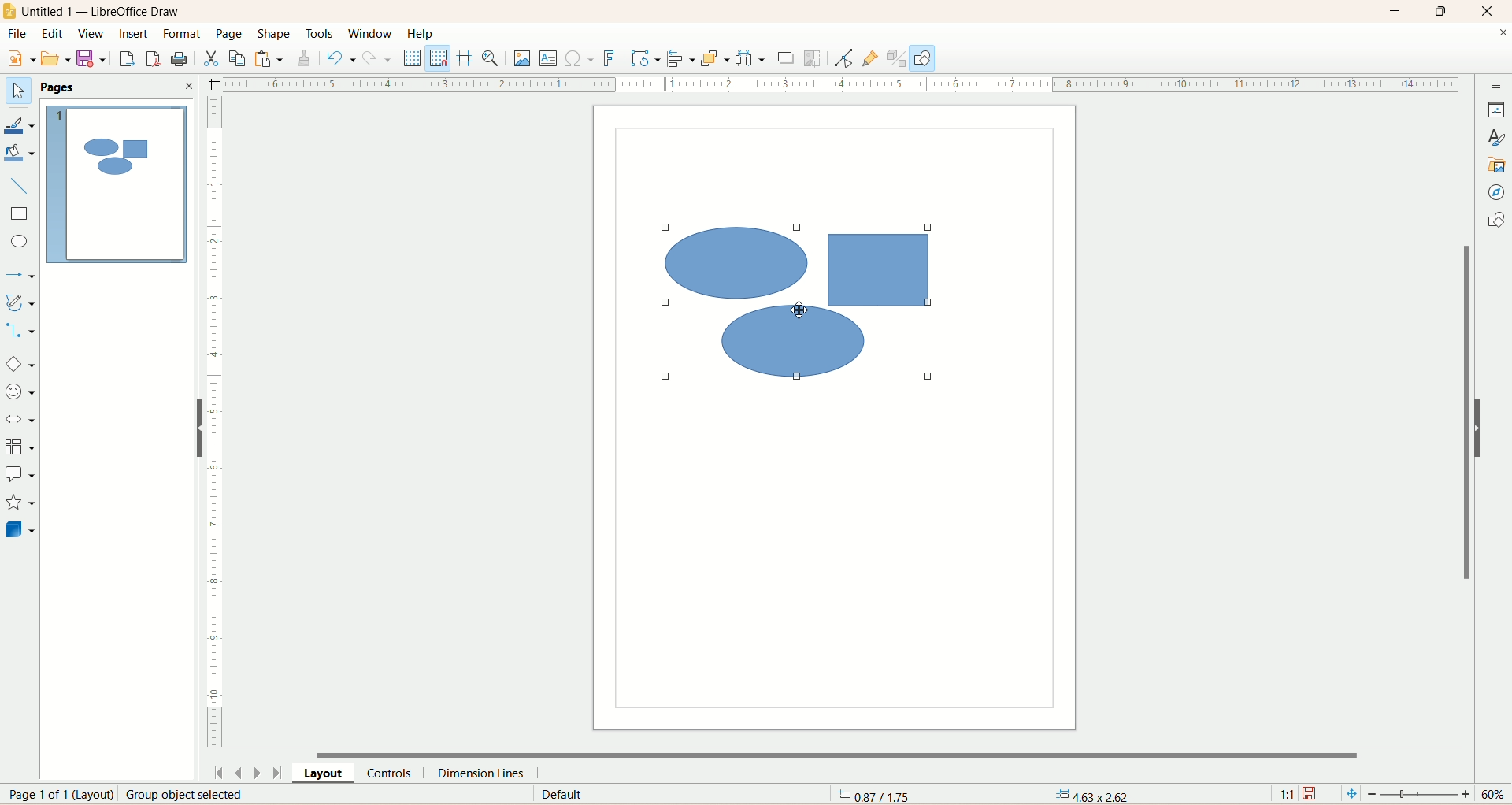  I want to click on redo, so click(377, 62).